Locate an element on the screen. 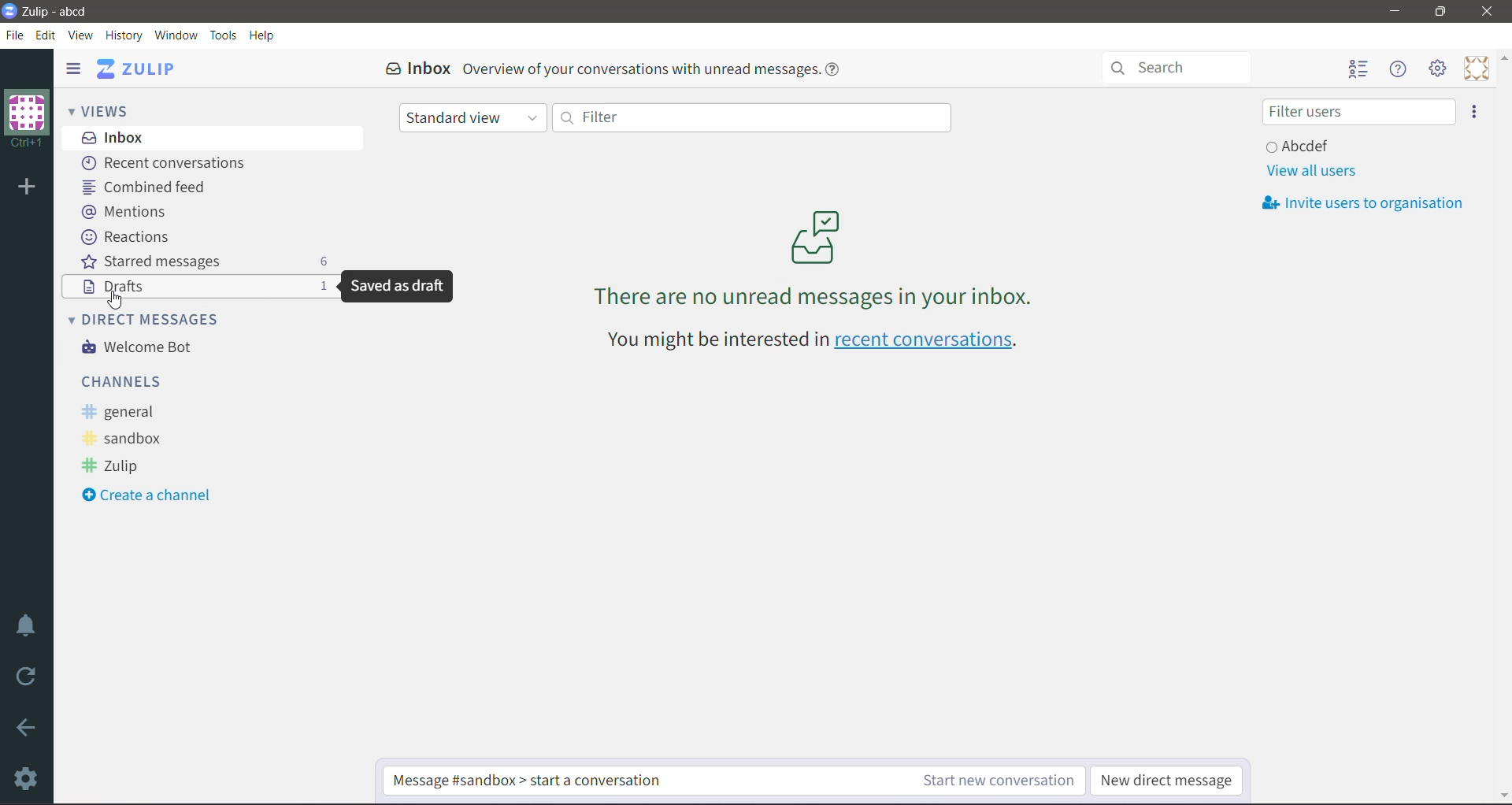  Reload is located at coordinates (29, 677).